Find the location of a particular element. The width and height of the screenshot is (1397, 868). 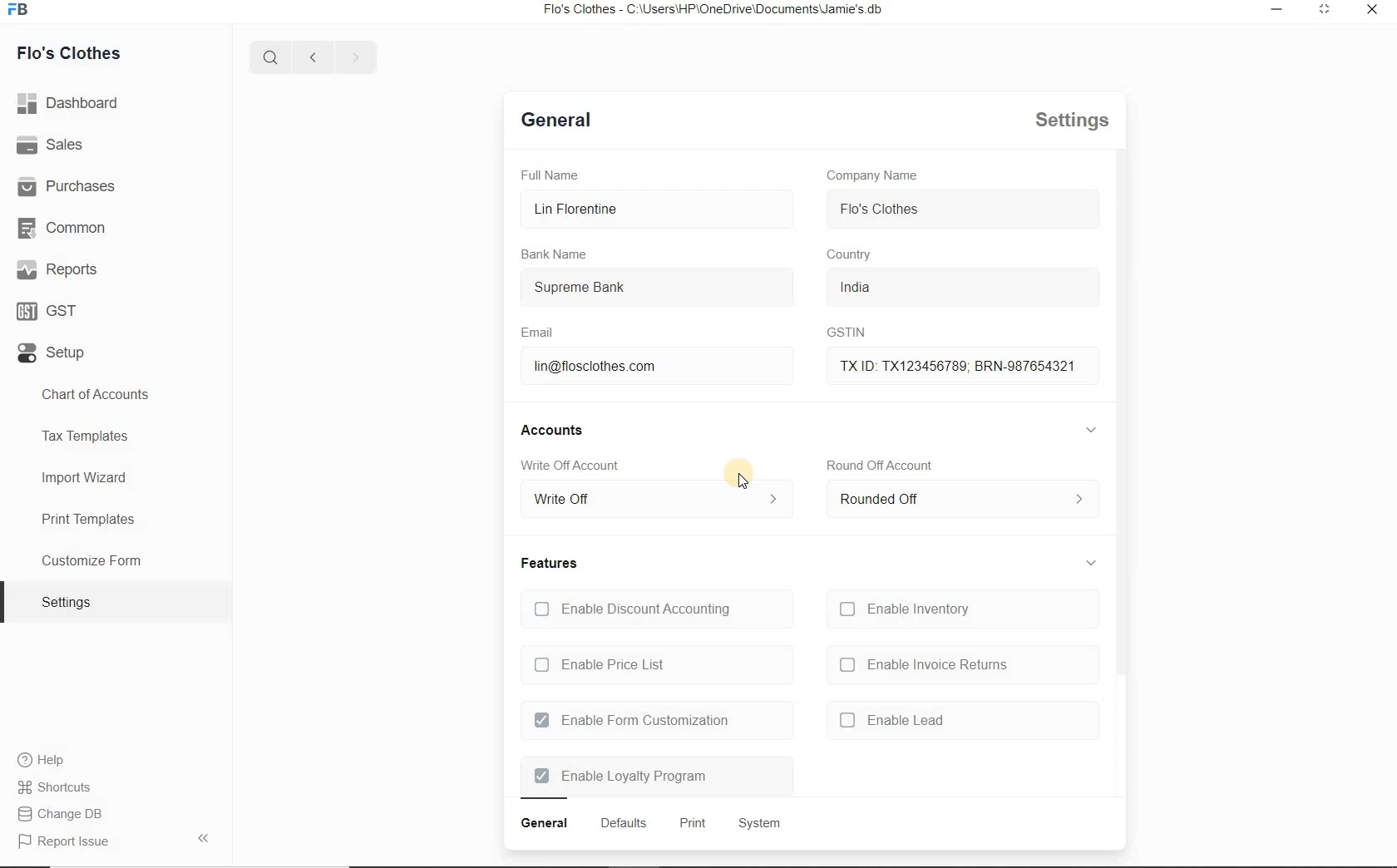

Back is located at coordinates (312, 56).